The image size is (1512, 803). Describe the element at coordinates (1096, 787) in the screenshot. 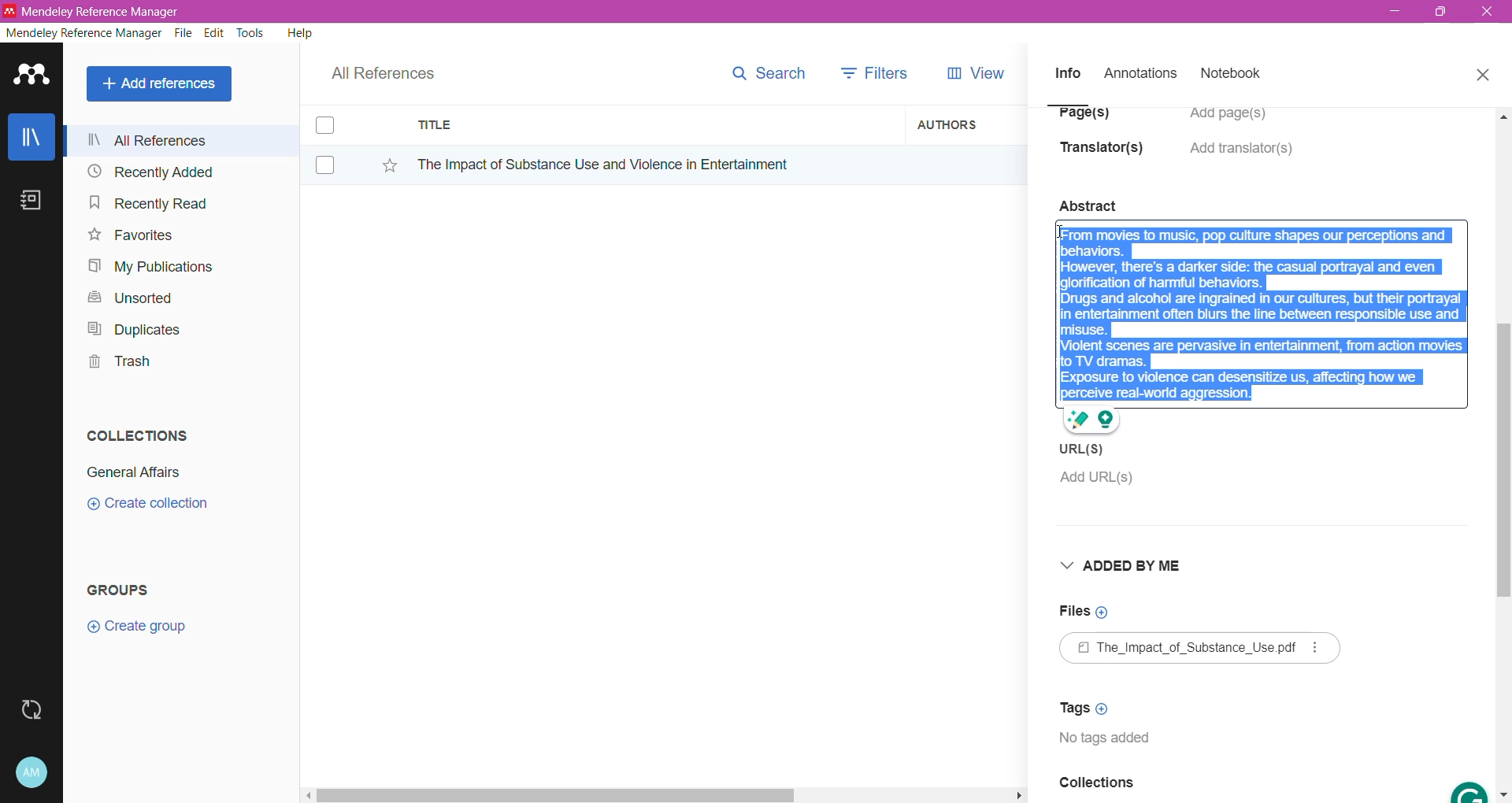

I see `Collections` at that location.